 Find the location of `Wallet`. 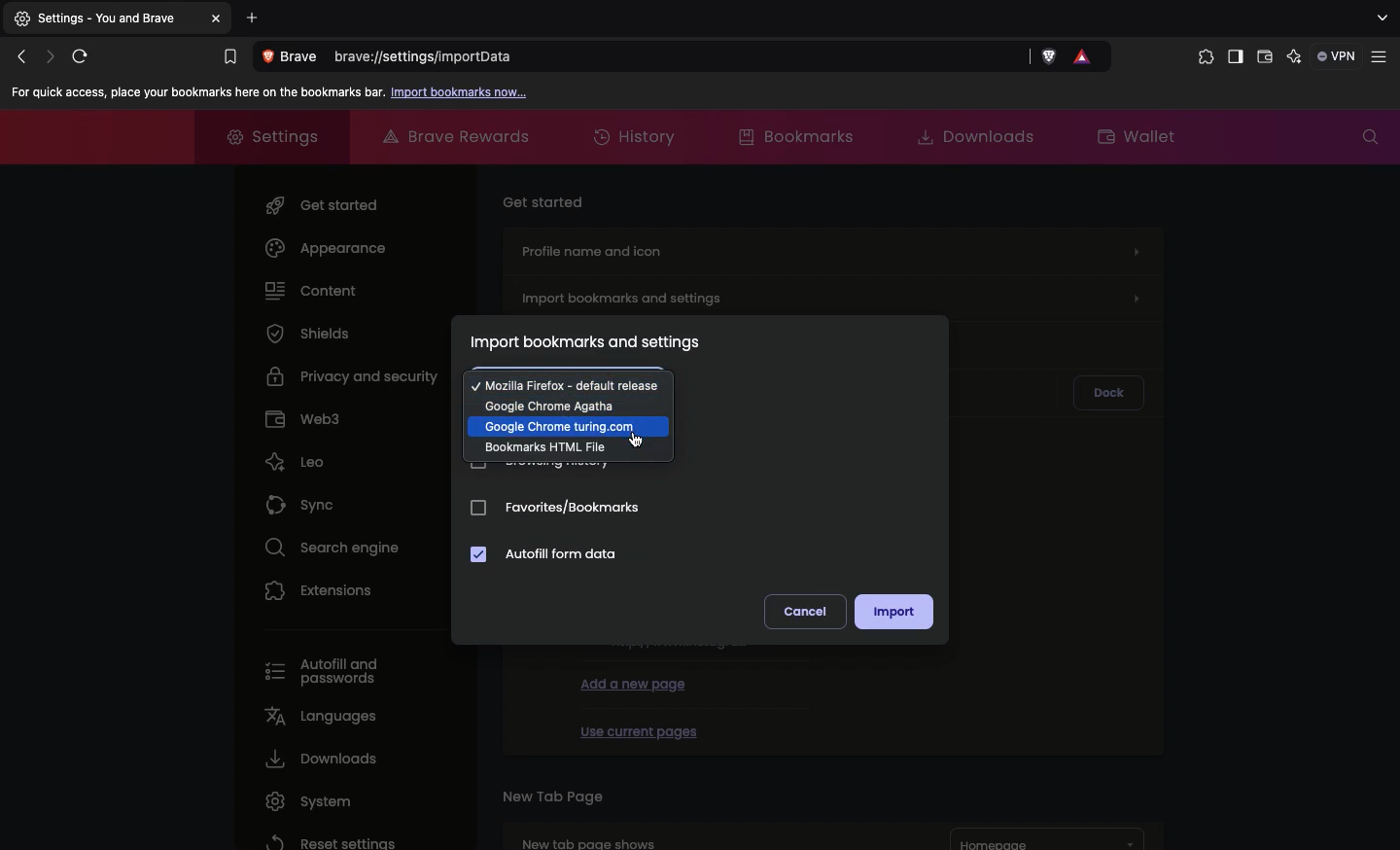

Wallet is located at coordinates (1138, 134).